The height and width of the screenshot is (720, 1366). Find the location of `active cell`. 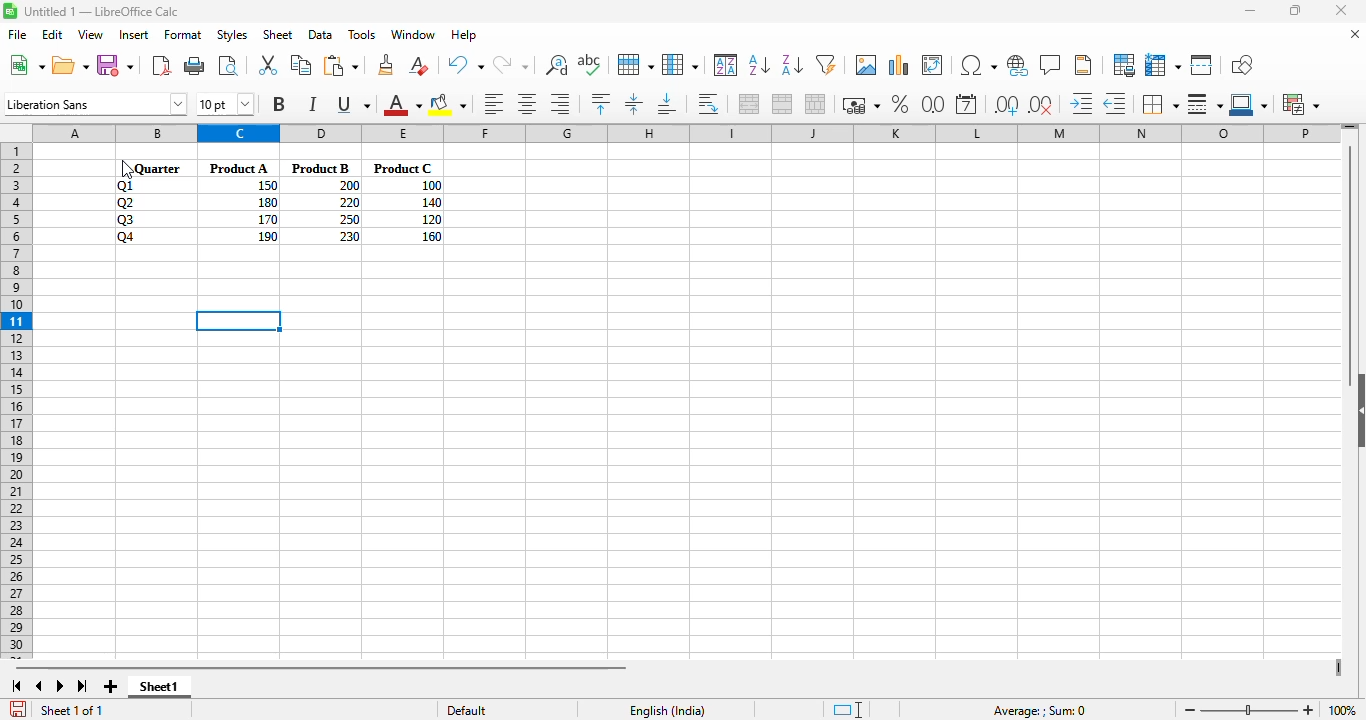

active cell is located at coordinates (238, 321).